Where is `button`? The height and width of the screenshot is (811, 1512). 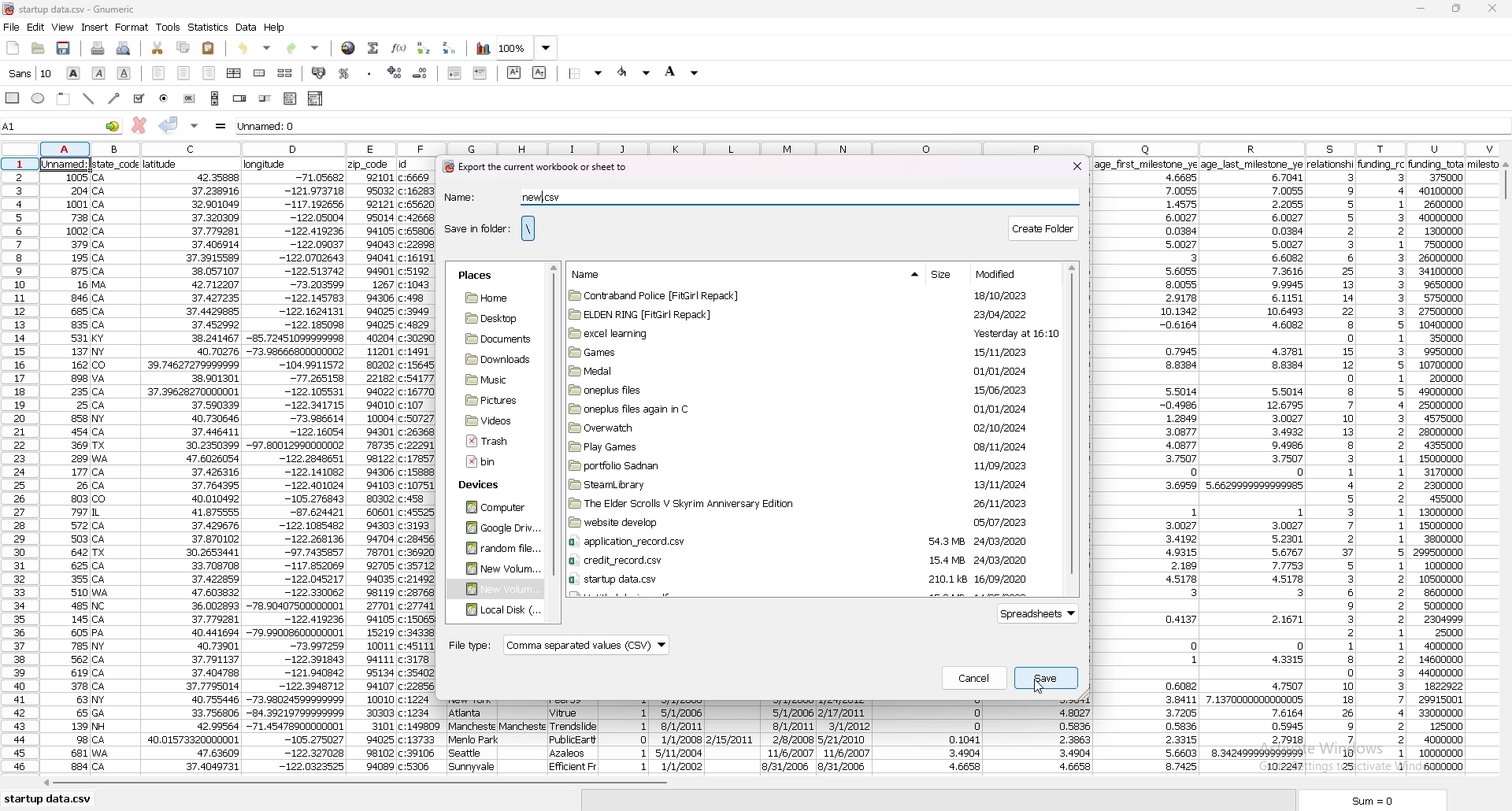 button is located at coordinates (190, 98).